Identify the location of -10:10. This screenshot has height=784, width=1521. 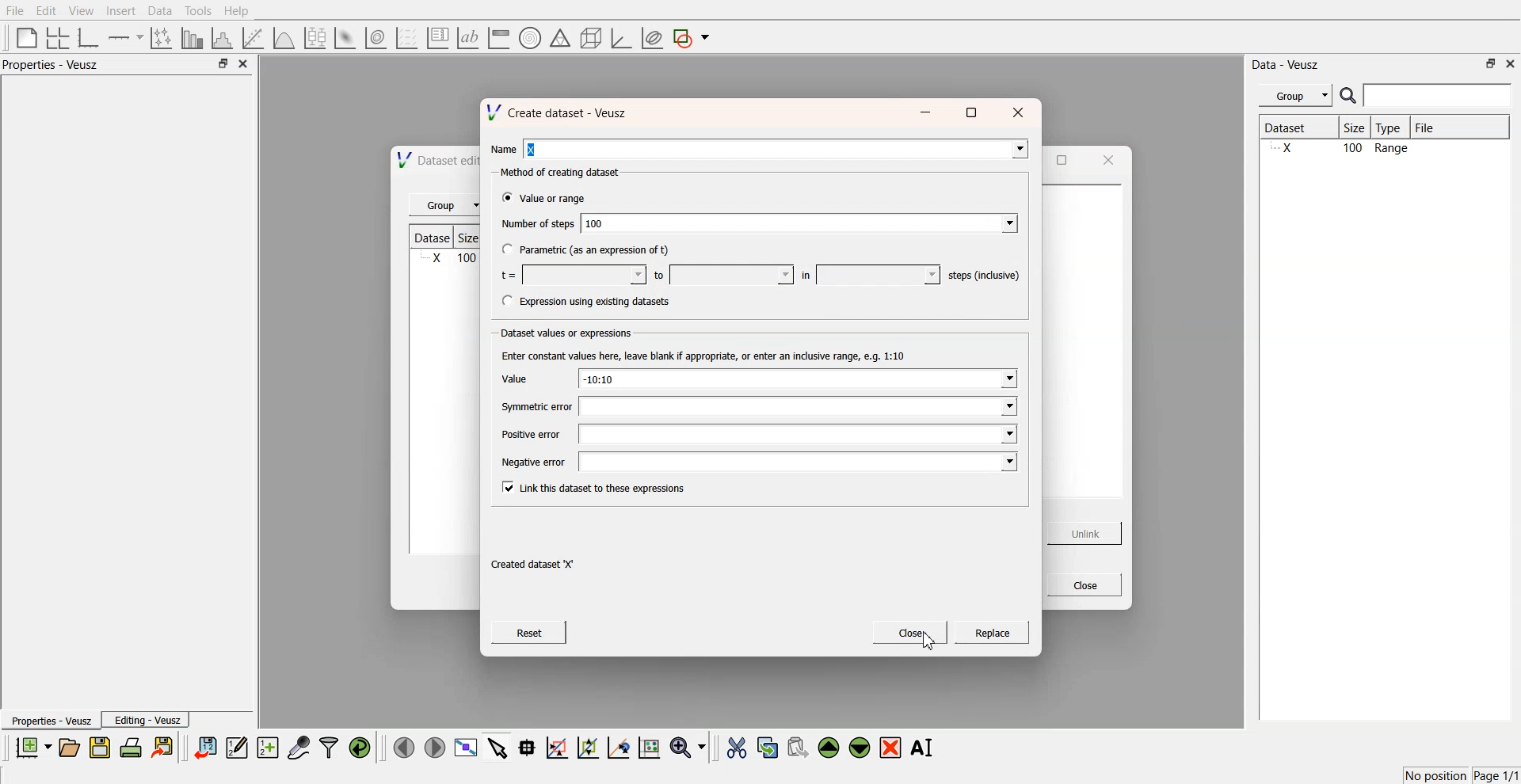
(798, 379).